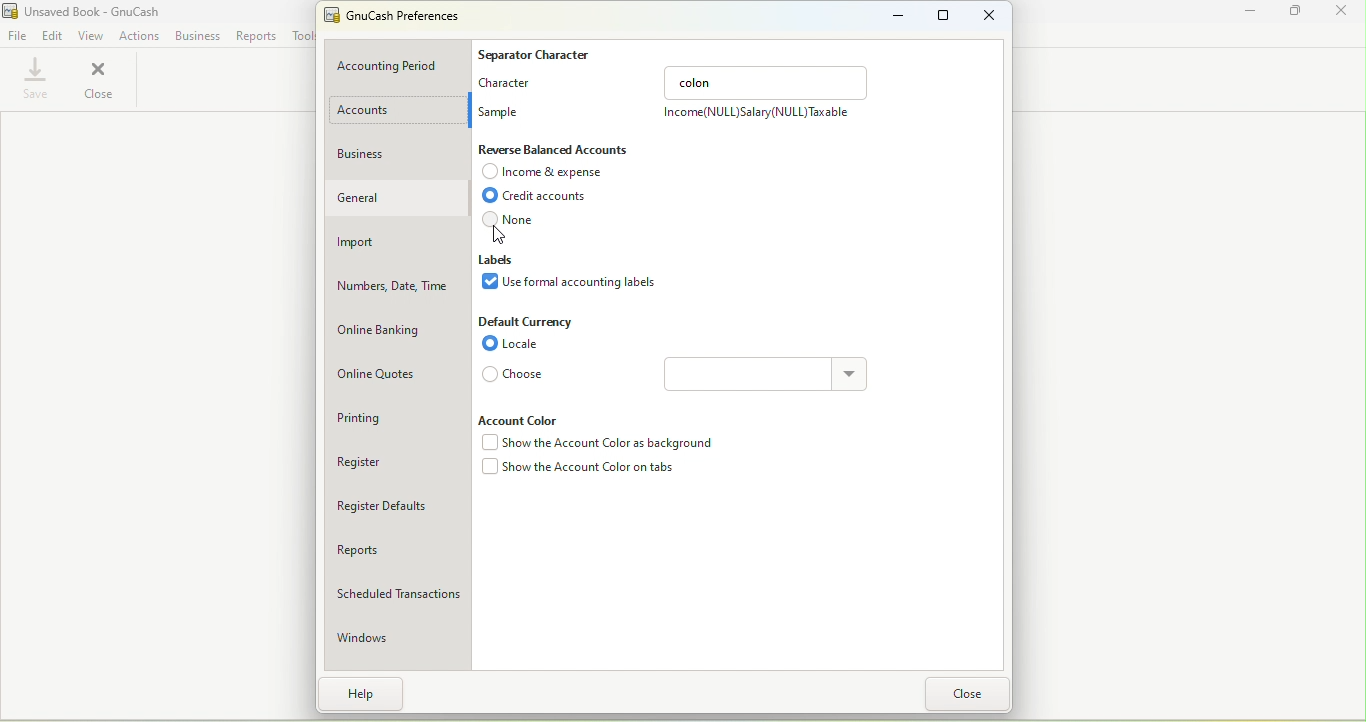 This screenshot has width=1366, height=722. What do you see at coordinates (99, 80) in the screenshot?
I see `Close` at bounding box center [99, 80].